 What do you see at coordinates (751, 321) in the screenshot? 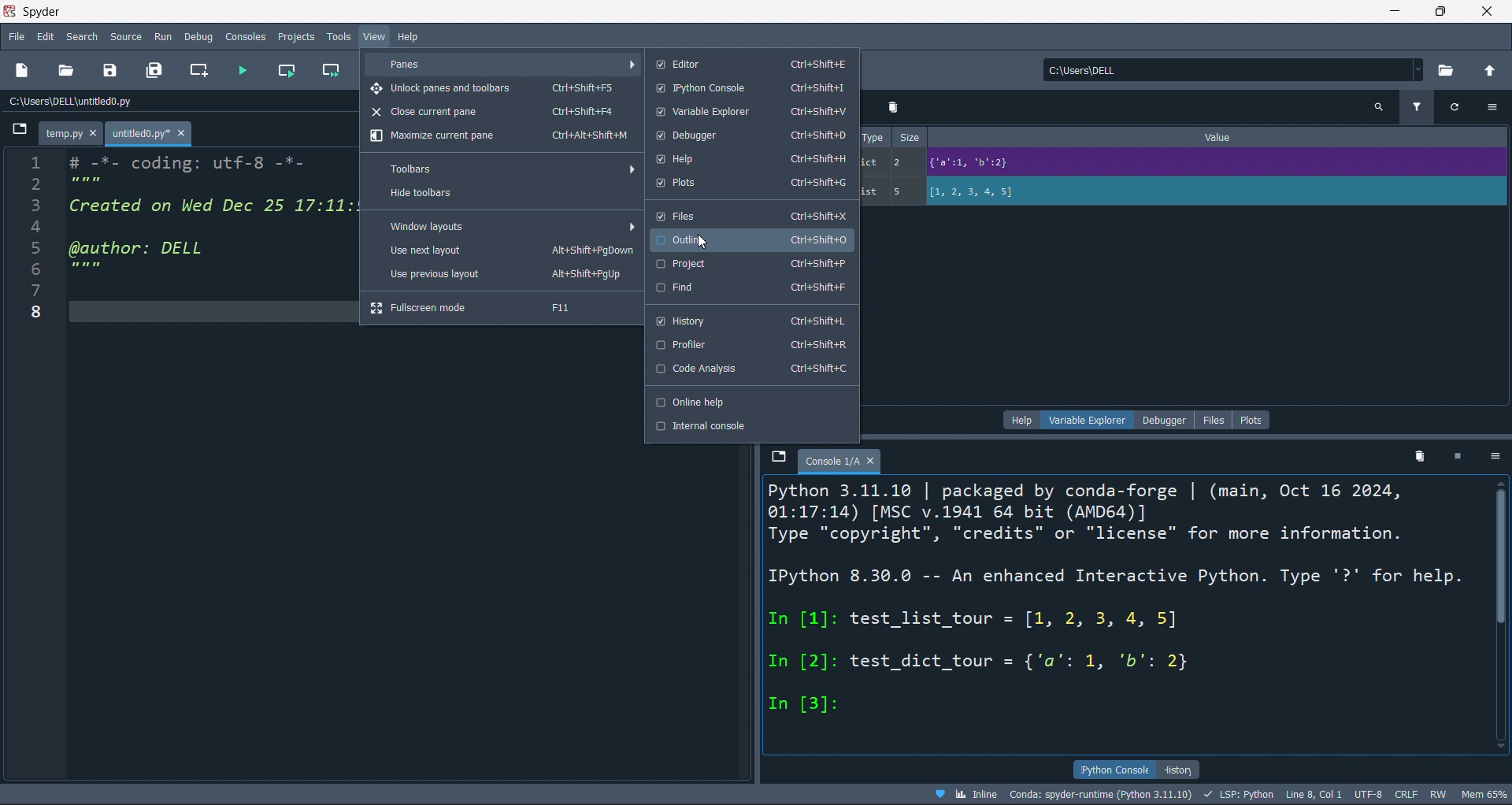
I see `history` at bounding box center [751, 321].